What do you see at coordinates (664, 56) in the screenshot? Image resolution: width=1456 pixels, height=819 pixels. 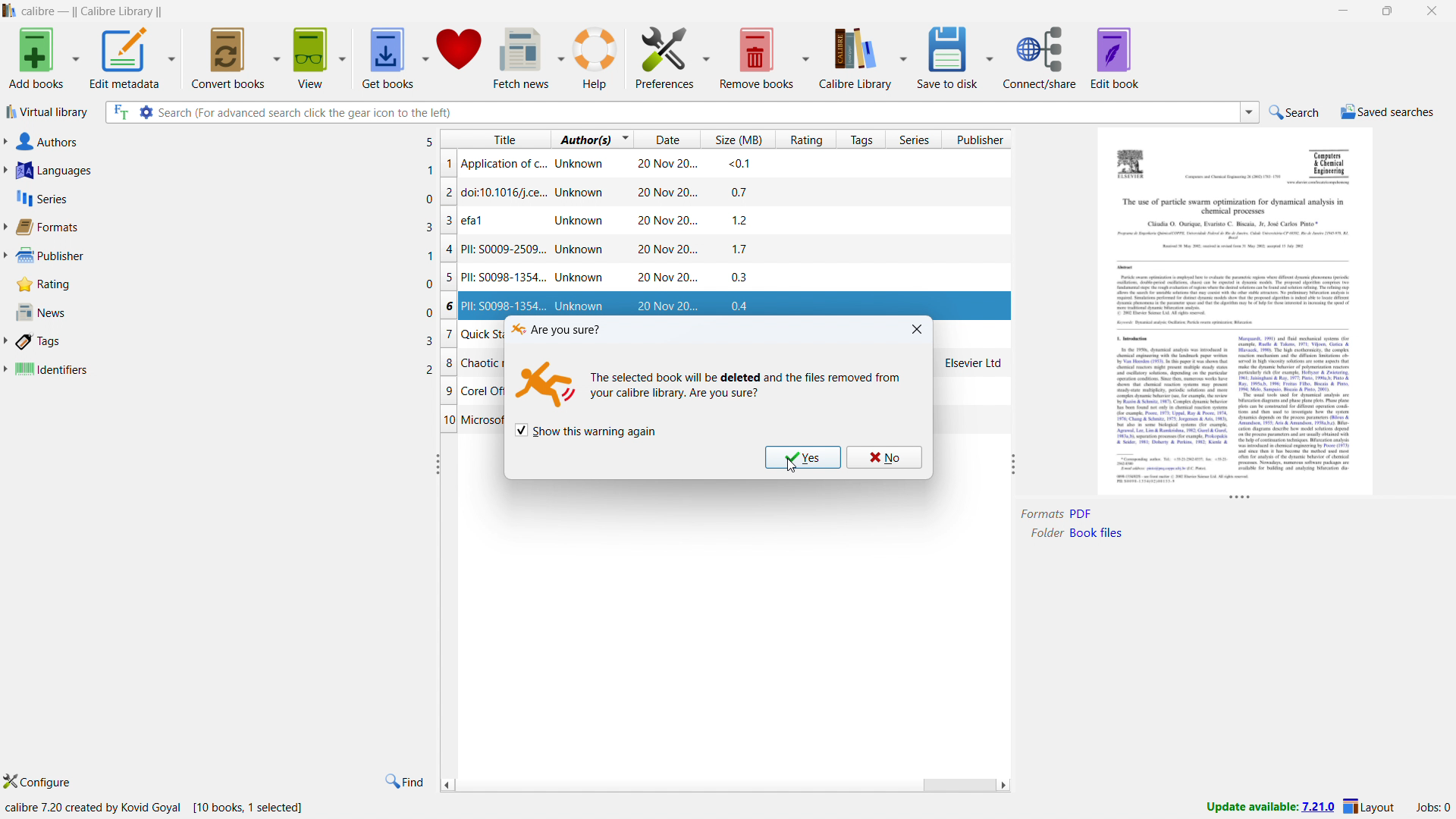 I see `preferences` at bounding box center [664, 56].